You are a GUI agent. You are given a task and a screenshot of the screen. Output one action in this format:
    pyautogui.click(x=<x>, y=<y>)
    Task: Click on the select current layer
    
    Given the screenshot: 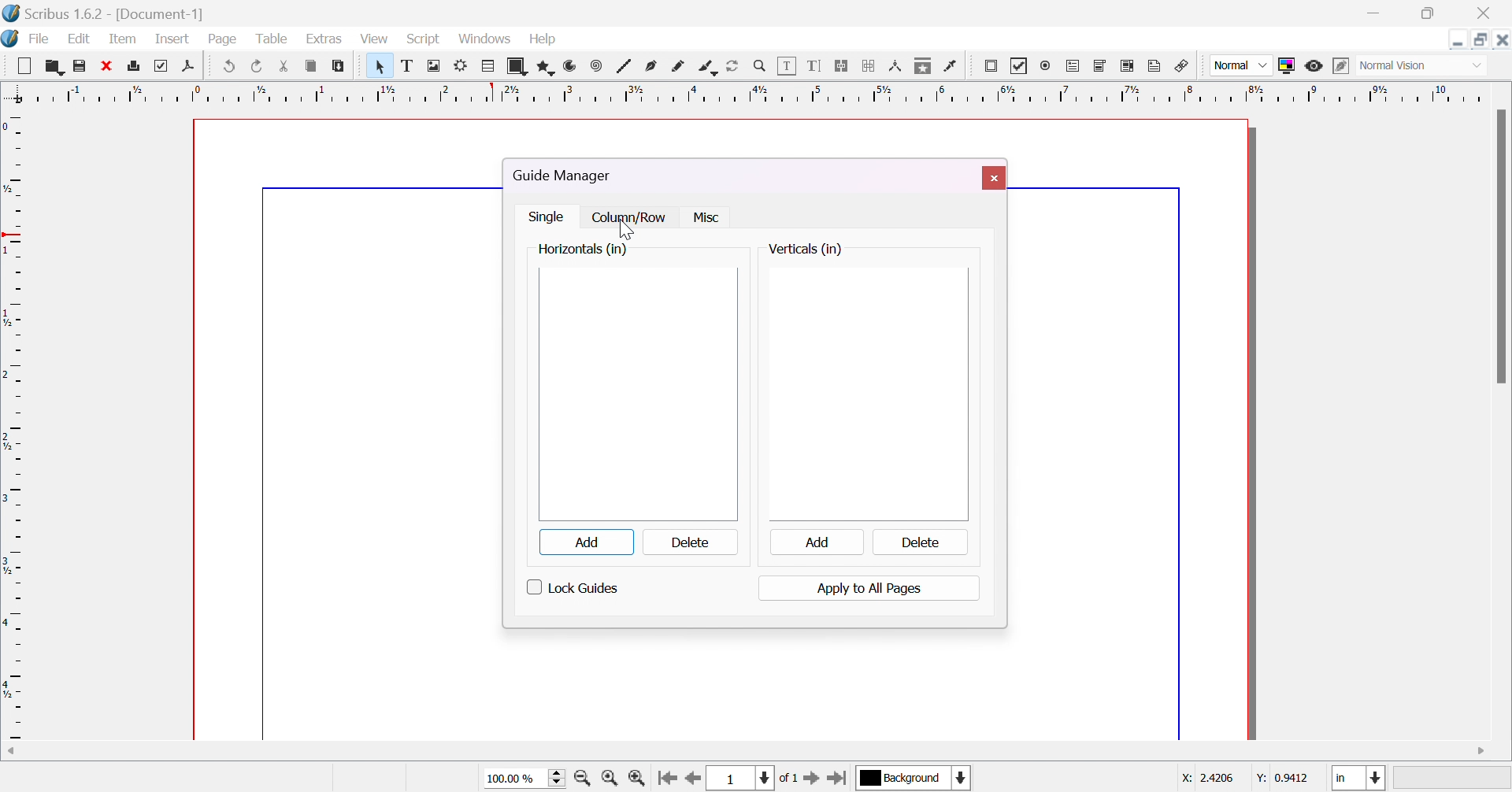 What is the action you would take?
    pyautogui.click(x=902, y=778)
    